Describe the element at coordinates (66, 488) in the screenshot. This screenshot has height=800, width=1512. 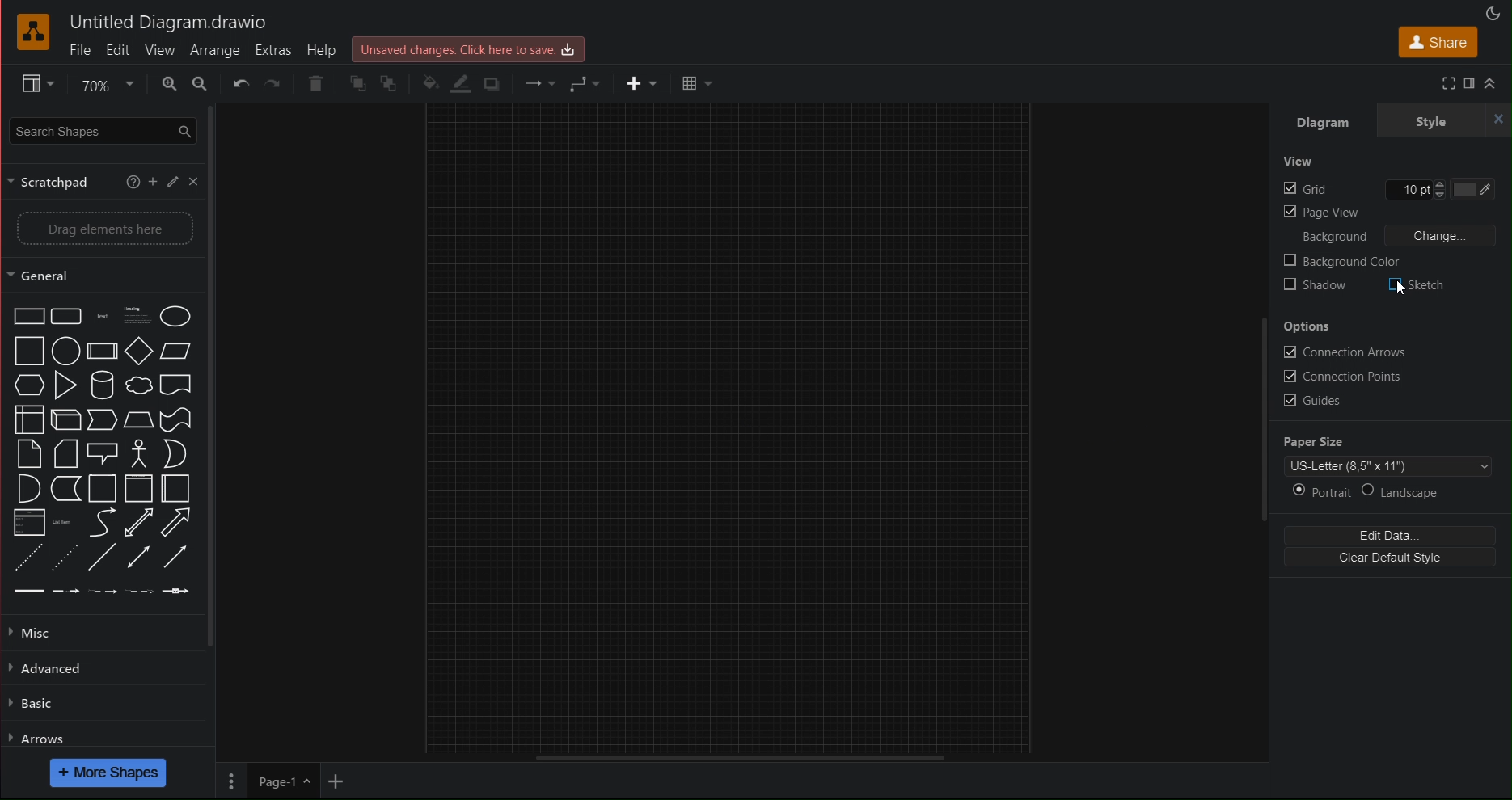
I see `data storage` at that location.